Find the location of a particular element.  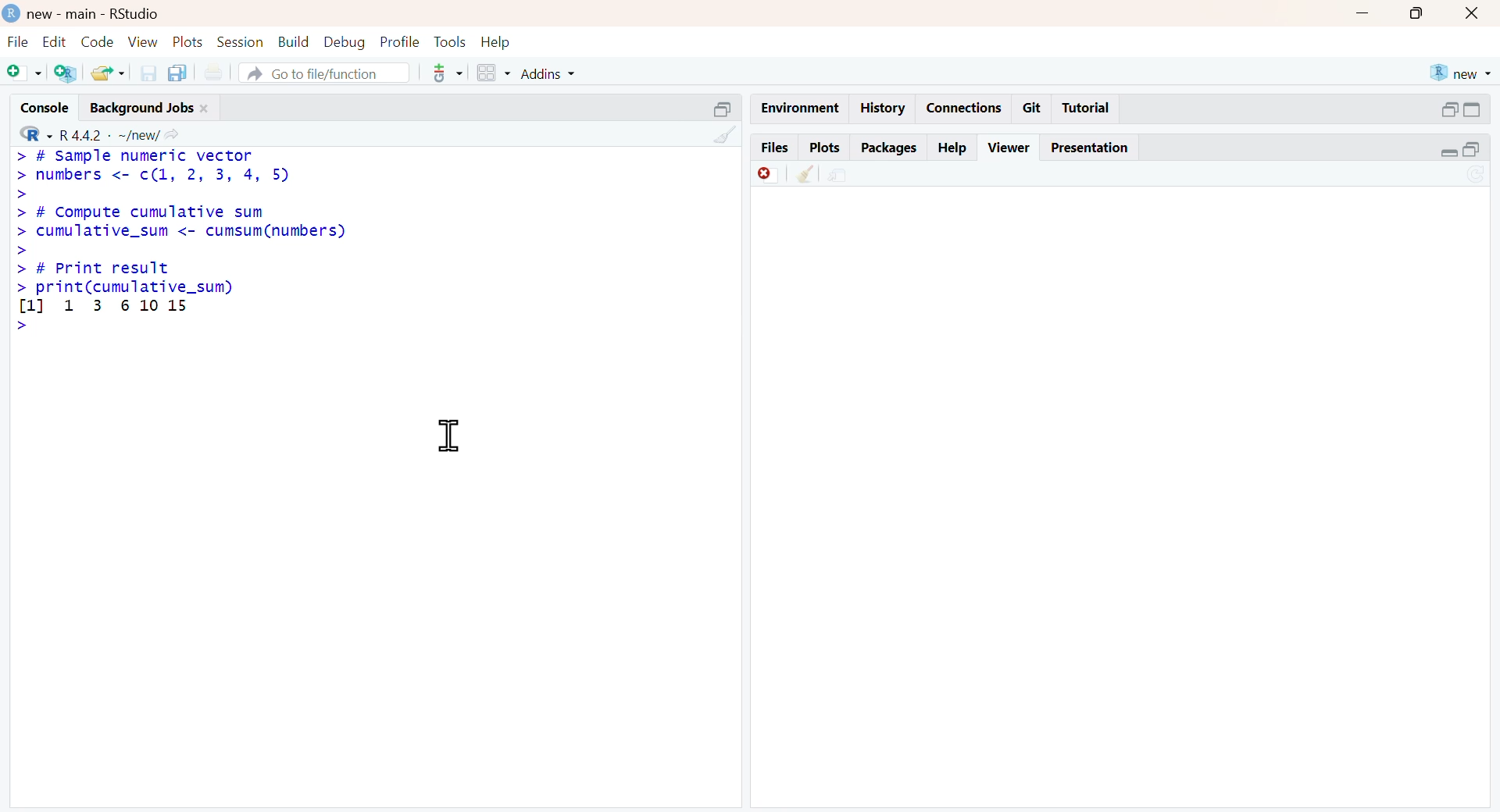

Environment is located at coordinates (800, 109).